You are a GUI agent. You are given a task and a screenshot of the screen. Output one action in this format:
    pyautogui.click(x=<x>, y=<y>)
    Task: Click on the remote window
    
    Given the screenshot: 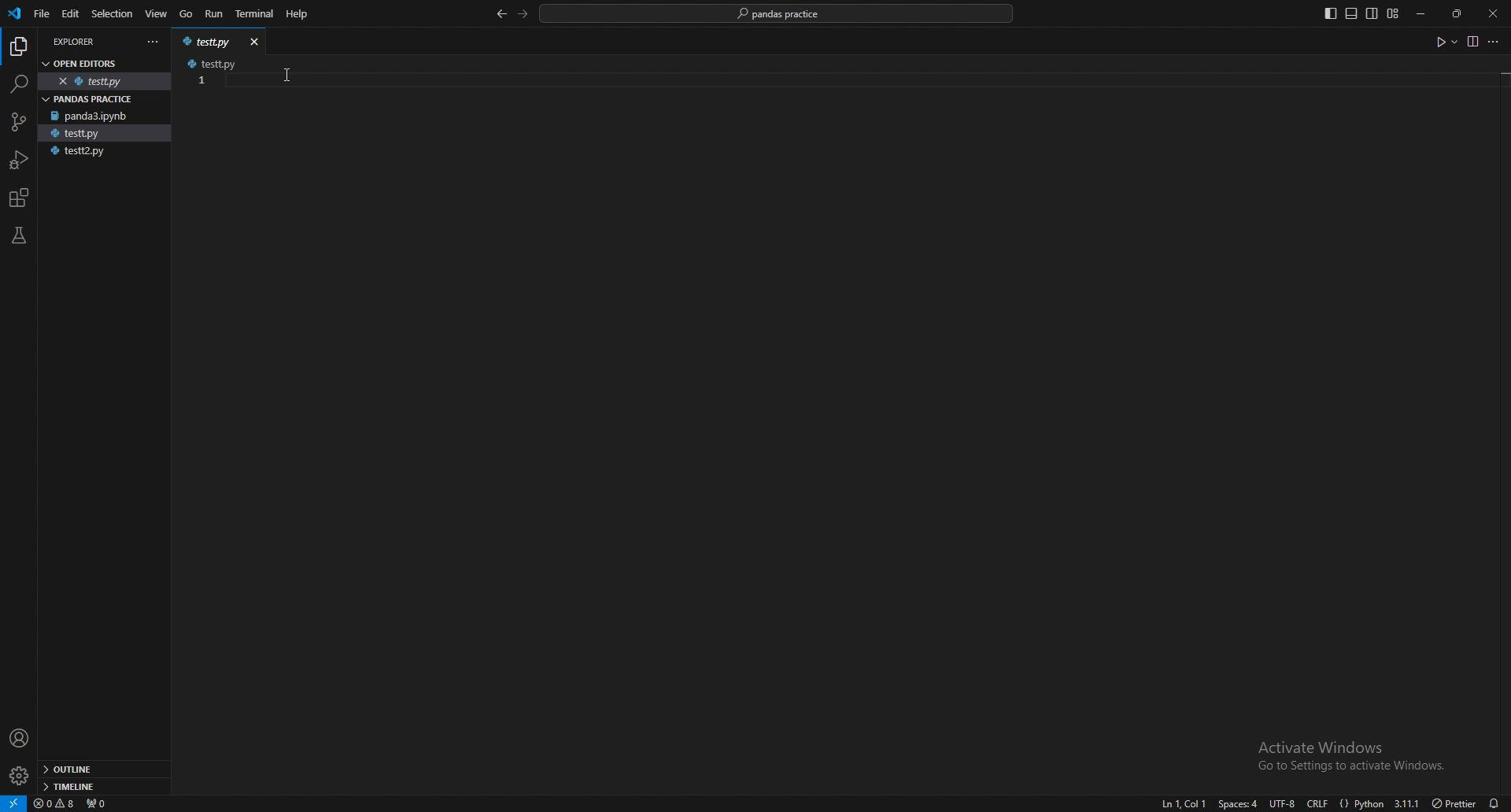 What is the action you would take?
    pyautogui.click(x=13, y=803)
    